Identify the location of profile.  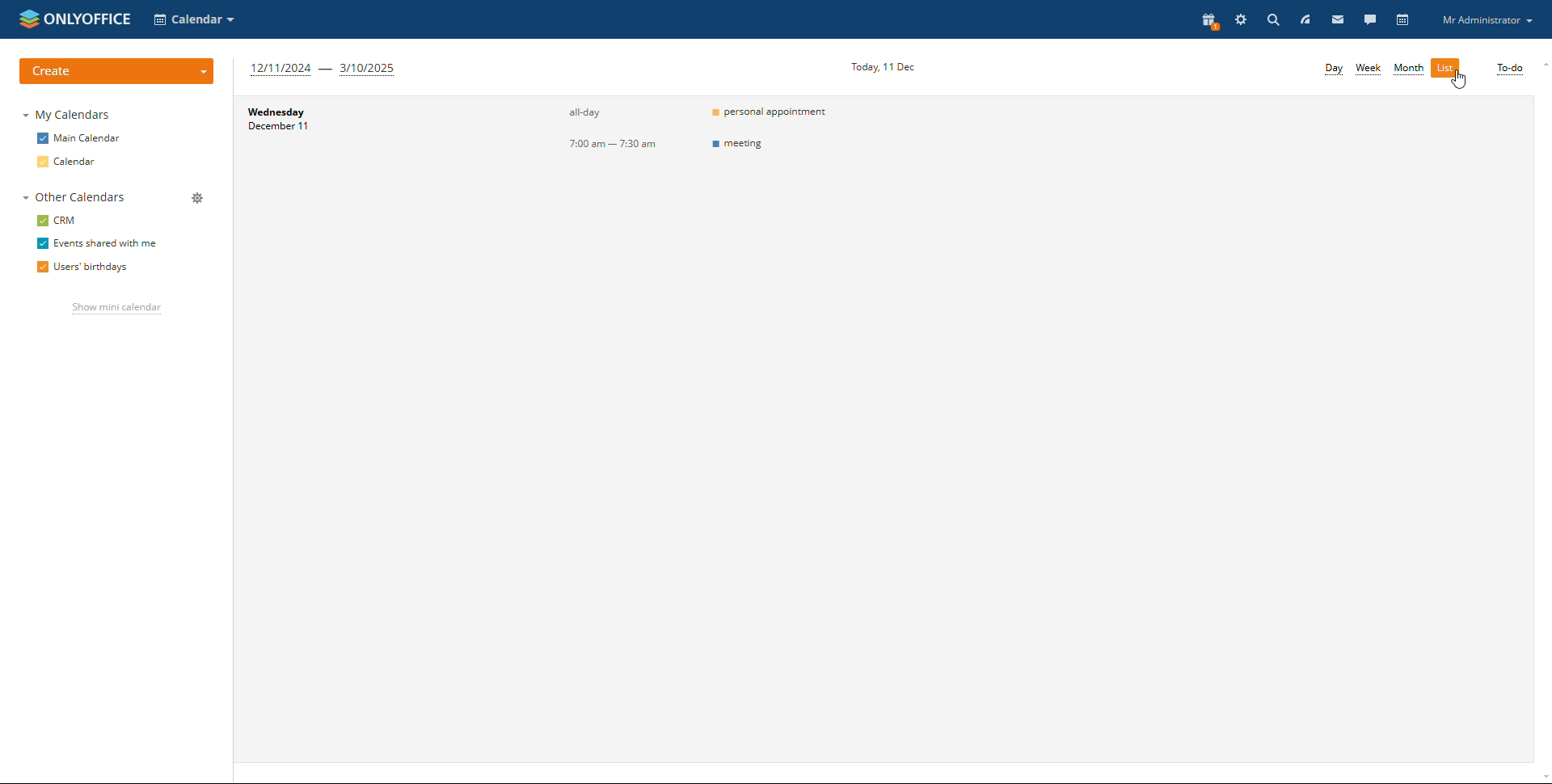
(1487, 19).